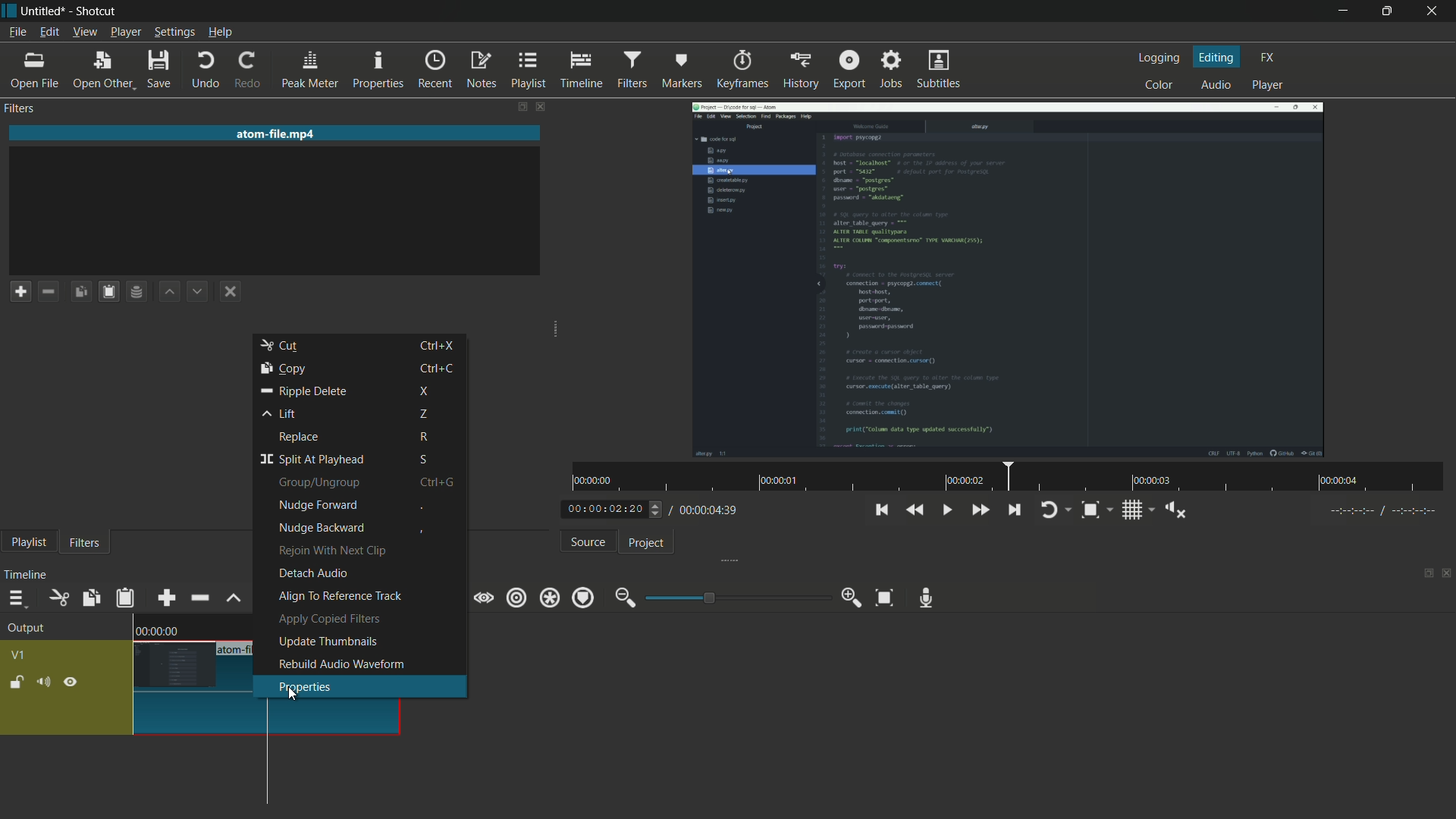 This screenshot has width=1456, height=819. What do you see at coordinates (221, 32) in the screenshot?
I see `help menu` at bounding box center [221, 32].